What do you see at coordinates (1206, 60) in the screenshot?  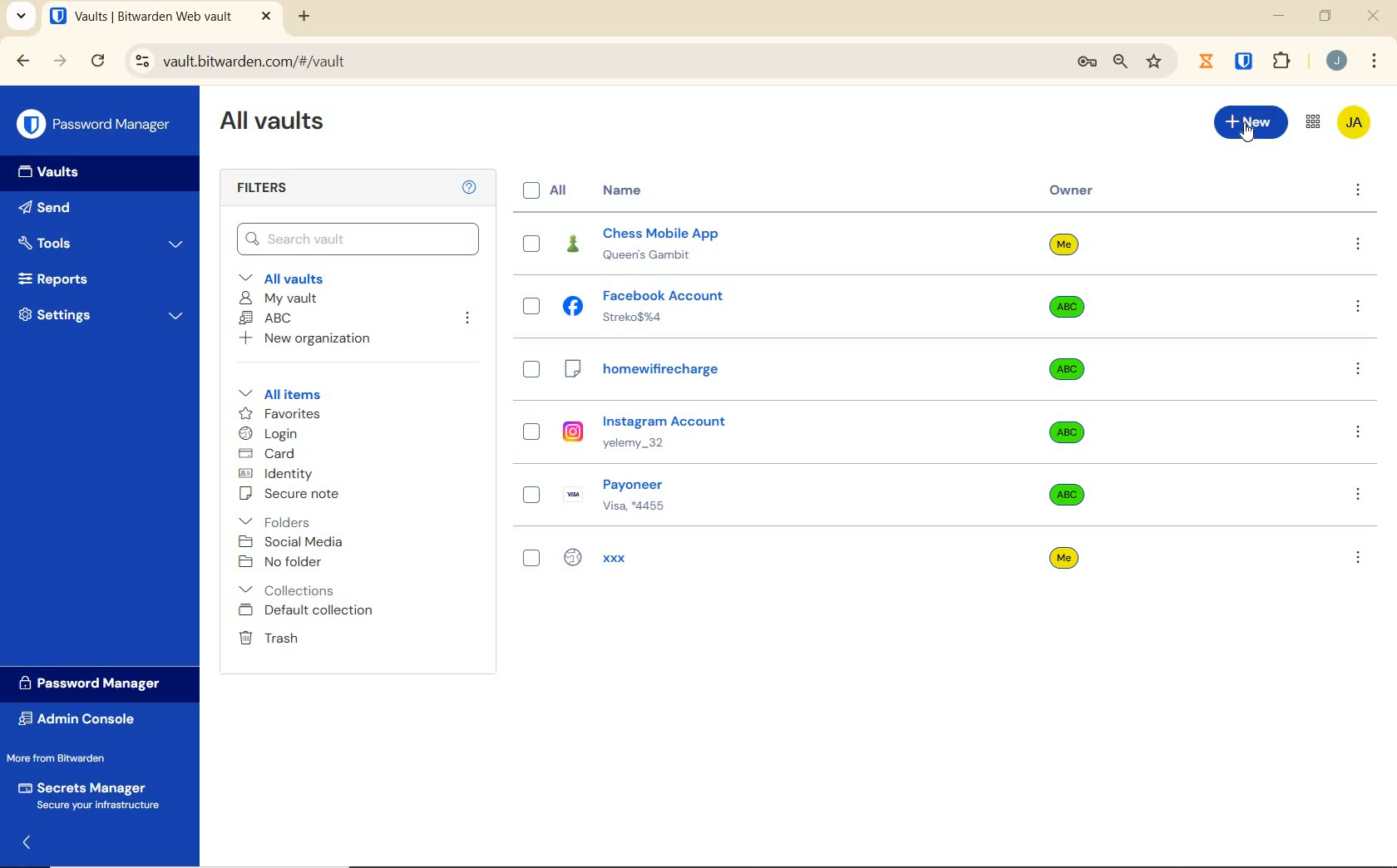 I see `jibble extension` at bounding box center [1206, 60].